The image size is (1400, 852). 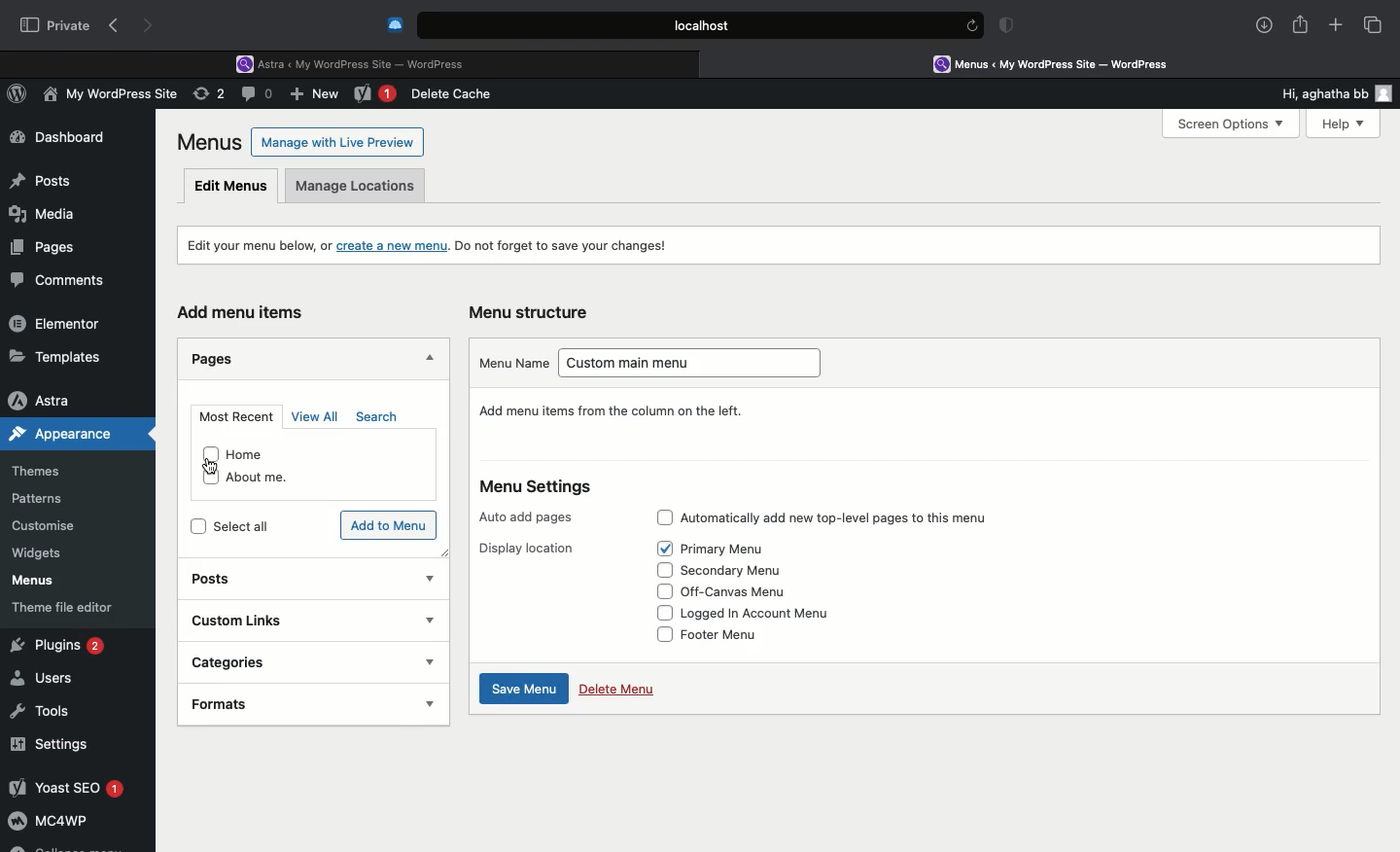 What do you see at coordinates (151, 25) in the screenshot?
I see `Forward` at bounding box center [151, 25].